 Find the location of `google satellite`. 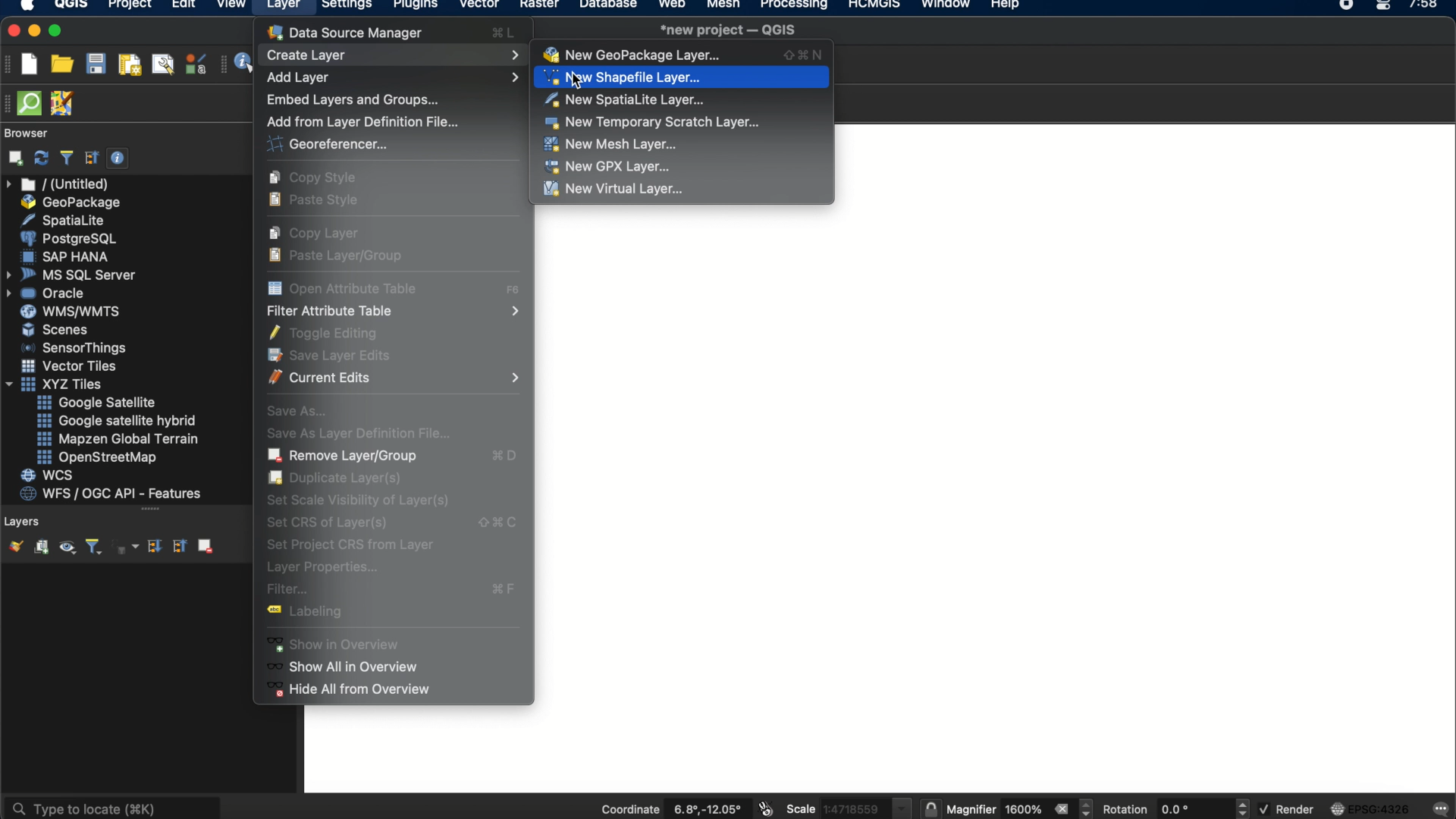

google satellite is located at coordinates (98, 403).